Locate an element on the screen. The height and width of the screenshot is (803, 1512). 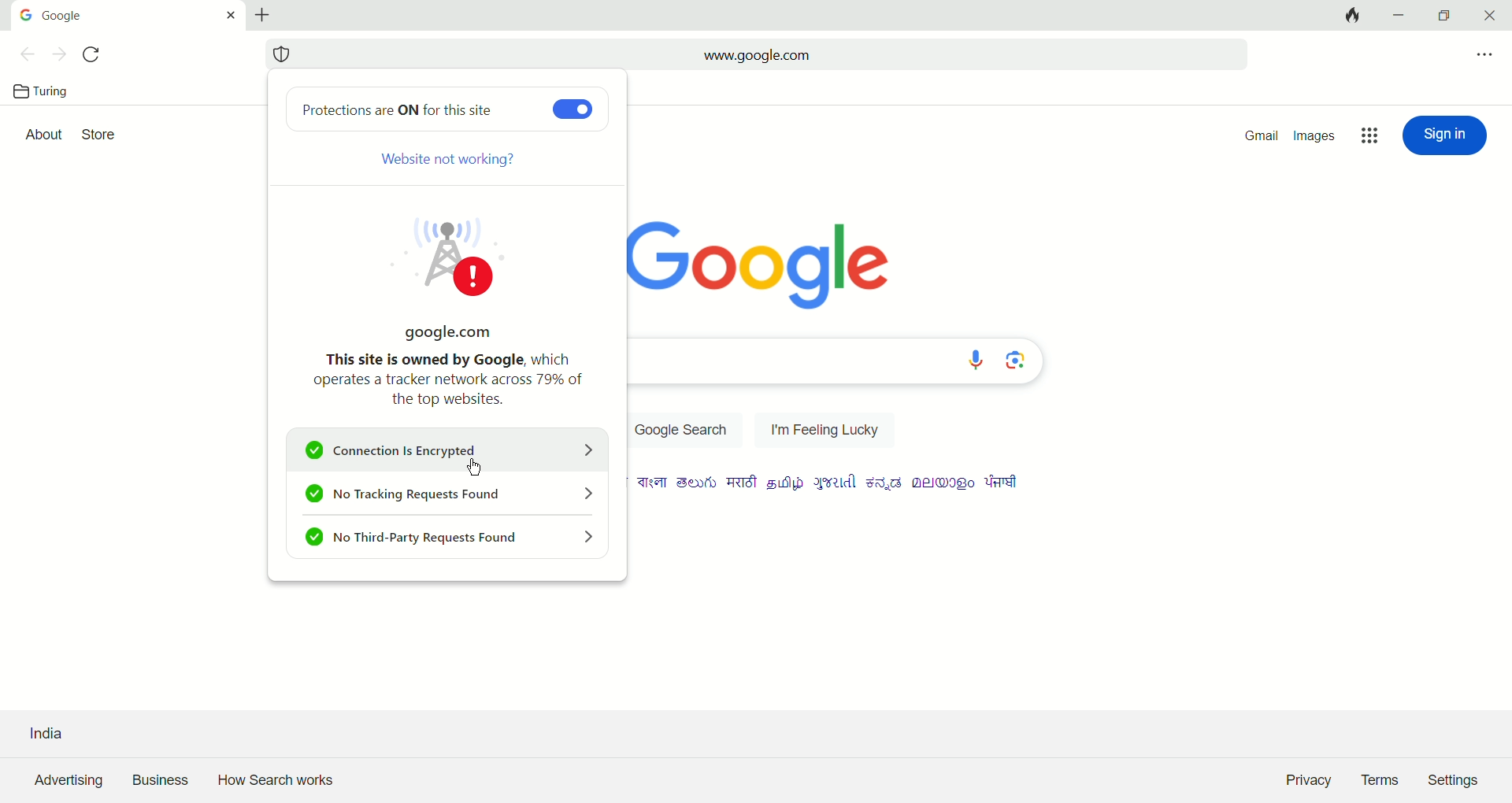
Terms is located at coordinates (1384, 781).